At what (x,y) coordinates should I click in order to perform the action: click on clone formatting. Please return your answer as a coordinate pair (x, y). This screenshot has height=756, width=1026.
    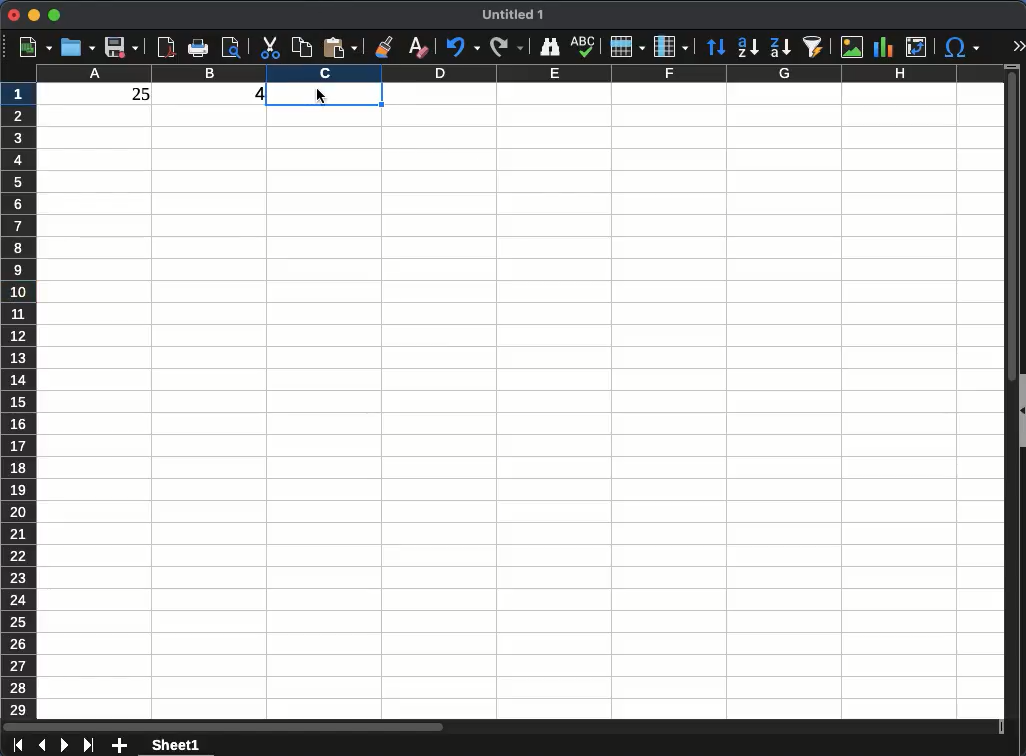
    Looking at the image, I should click on (383, 46).